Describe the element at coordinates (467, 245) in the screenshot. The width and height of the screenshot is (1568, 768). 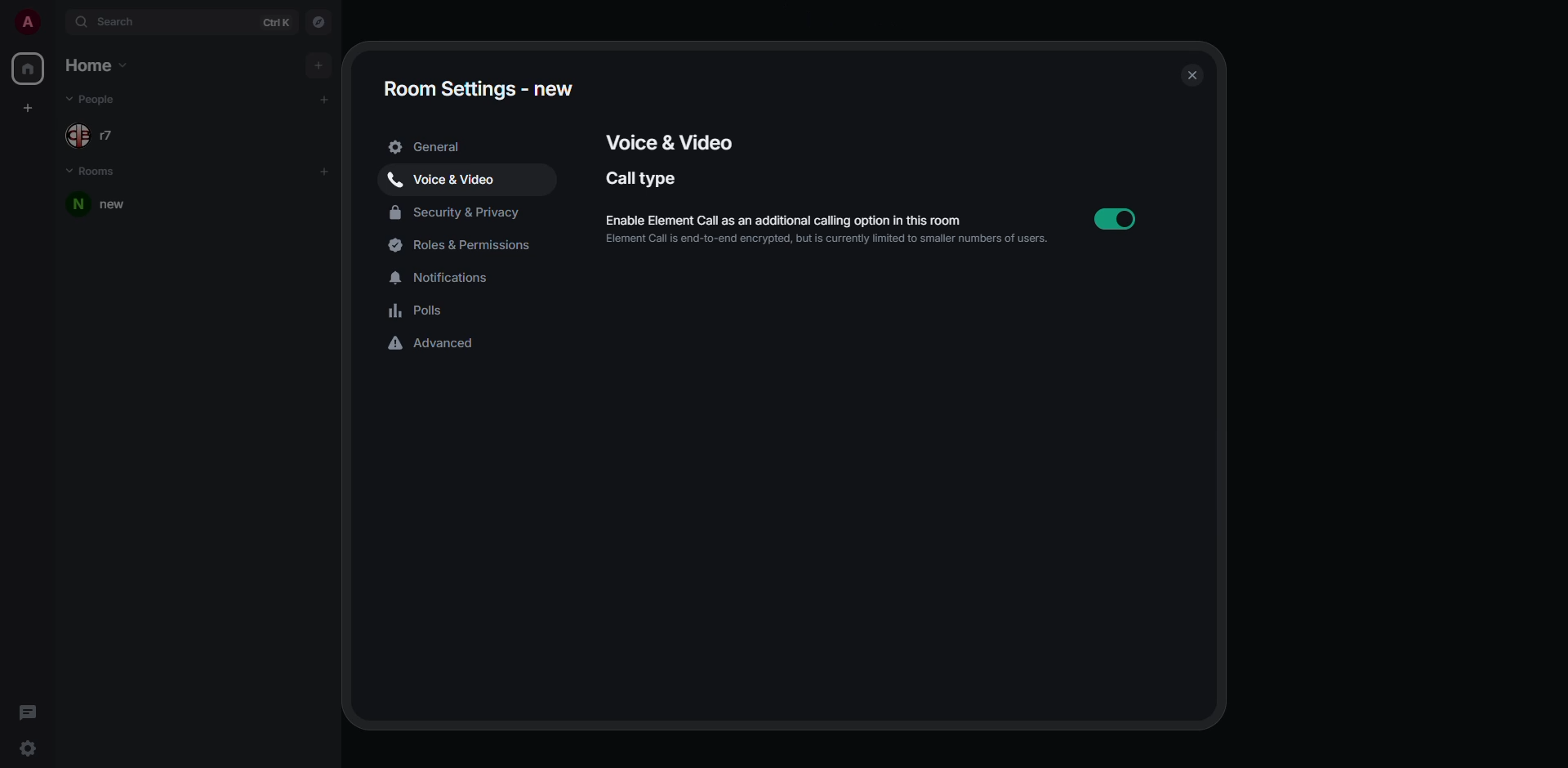
I see `roles & permissions` at that location.